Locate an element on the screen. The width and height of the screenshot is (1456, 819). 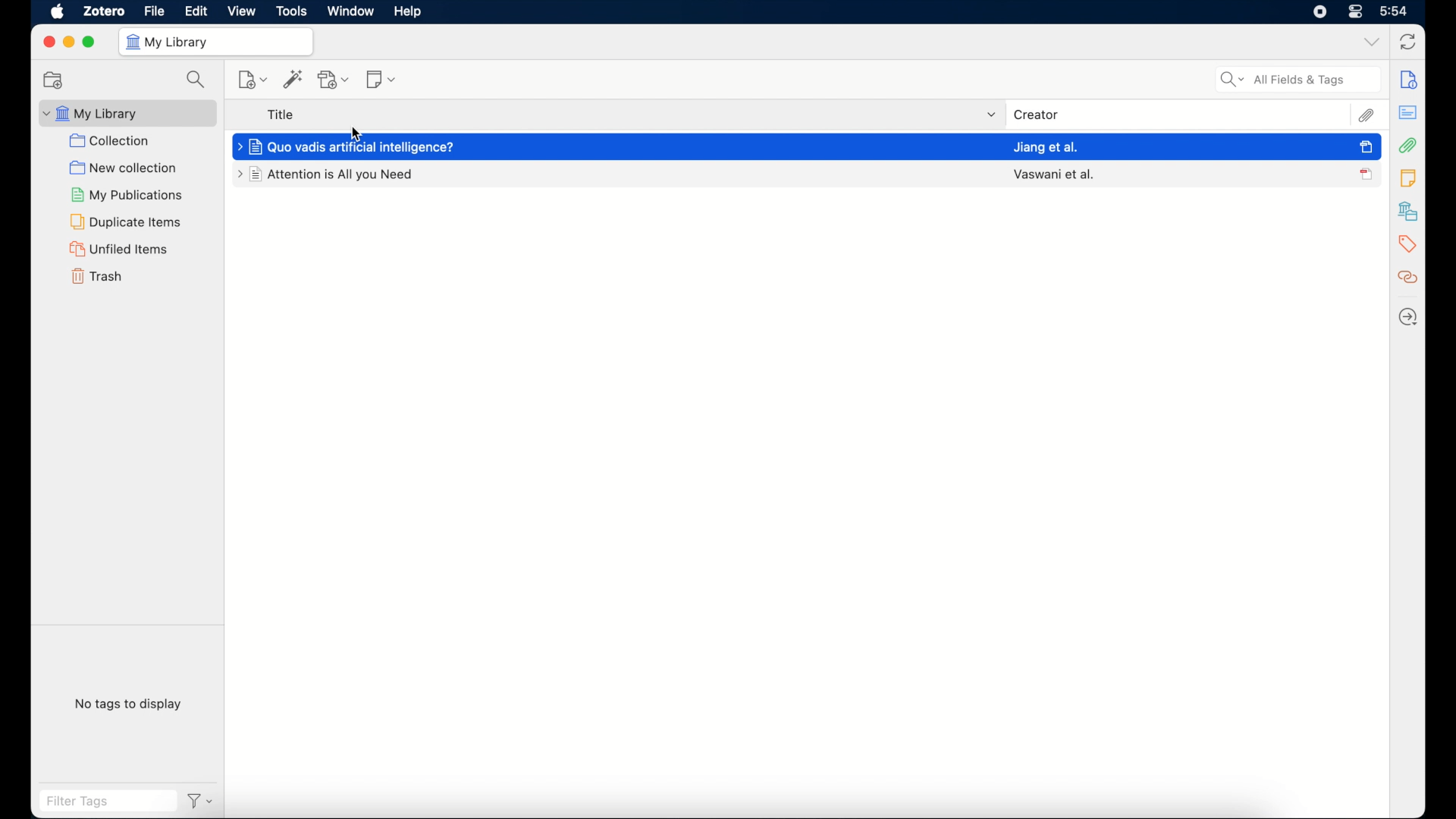
apple icon is located at coordinates (57, 12).